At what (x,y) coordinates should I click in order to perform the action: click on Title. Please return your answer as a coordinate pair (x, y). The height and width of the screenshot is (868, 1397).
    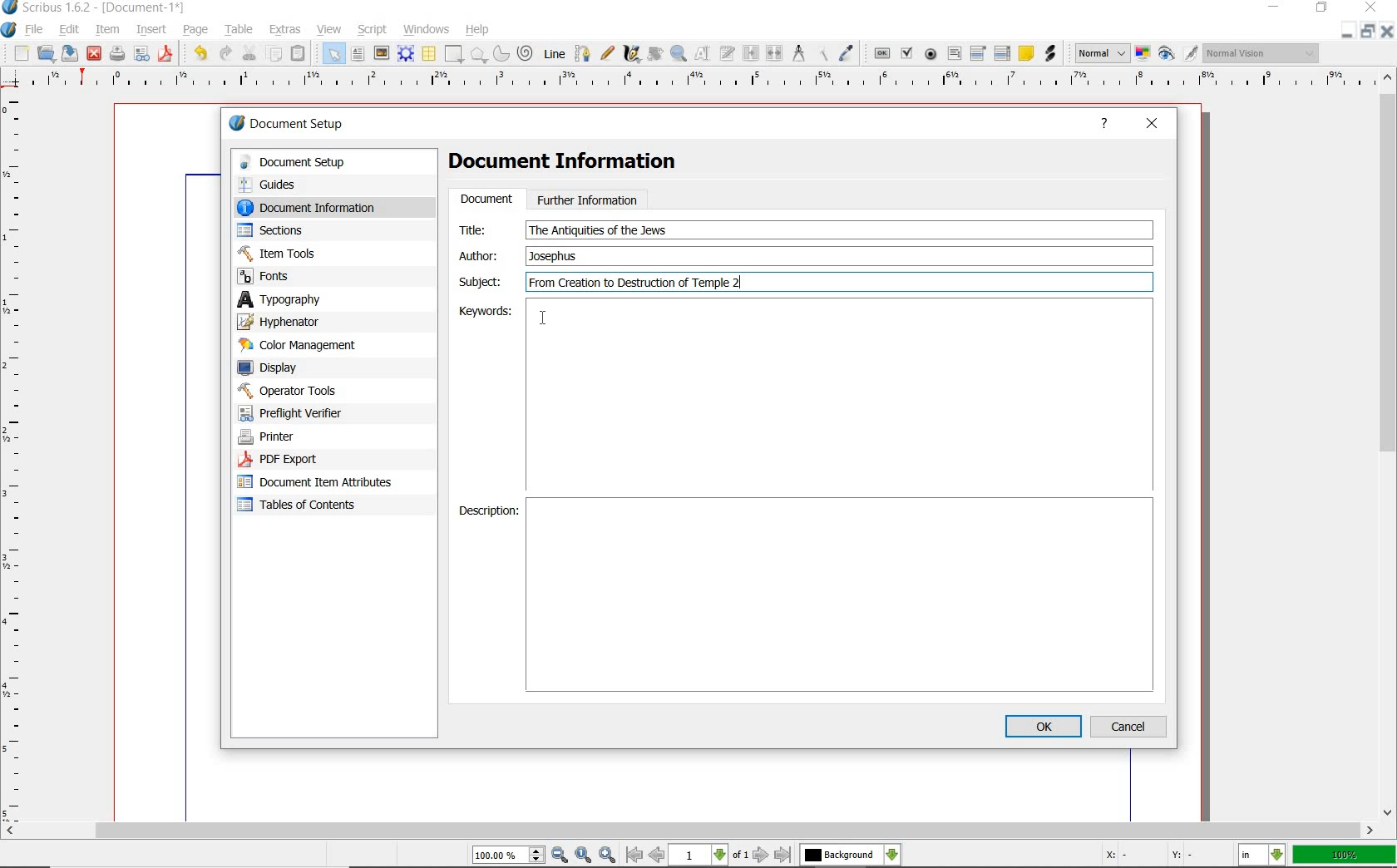
    Looking at the image, I should click on (483, 229).